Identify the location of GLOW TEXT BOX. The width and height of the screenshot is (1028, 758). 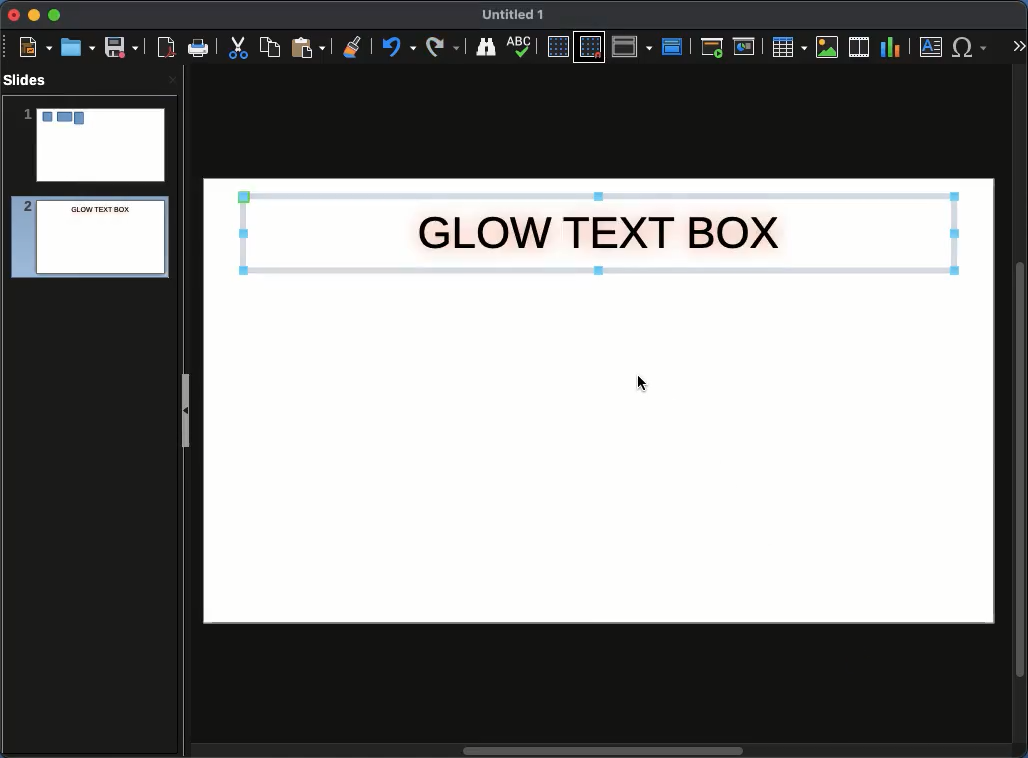
(598, 231).